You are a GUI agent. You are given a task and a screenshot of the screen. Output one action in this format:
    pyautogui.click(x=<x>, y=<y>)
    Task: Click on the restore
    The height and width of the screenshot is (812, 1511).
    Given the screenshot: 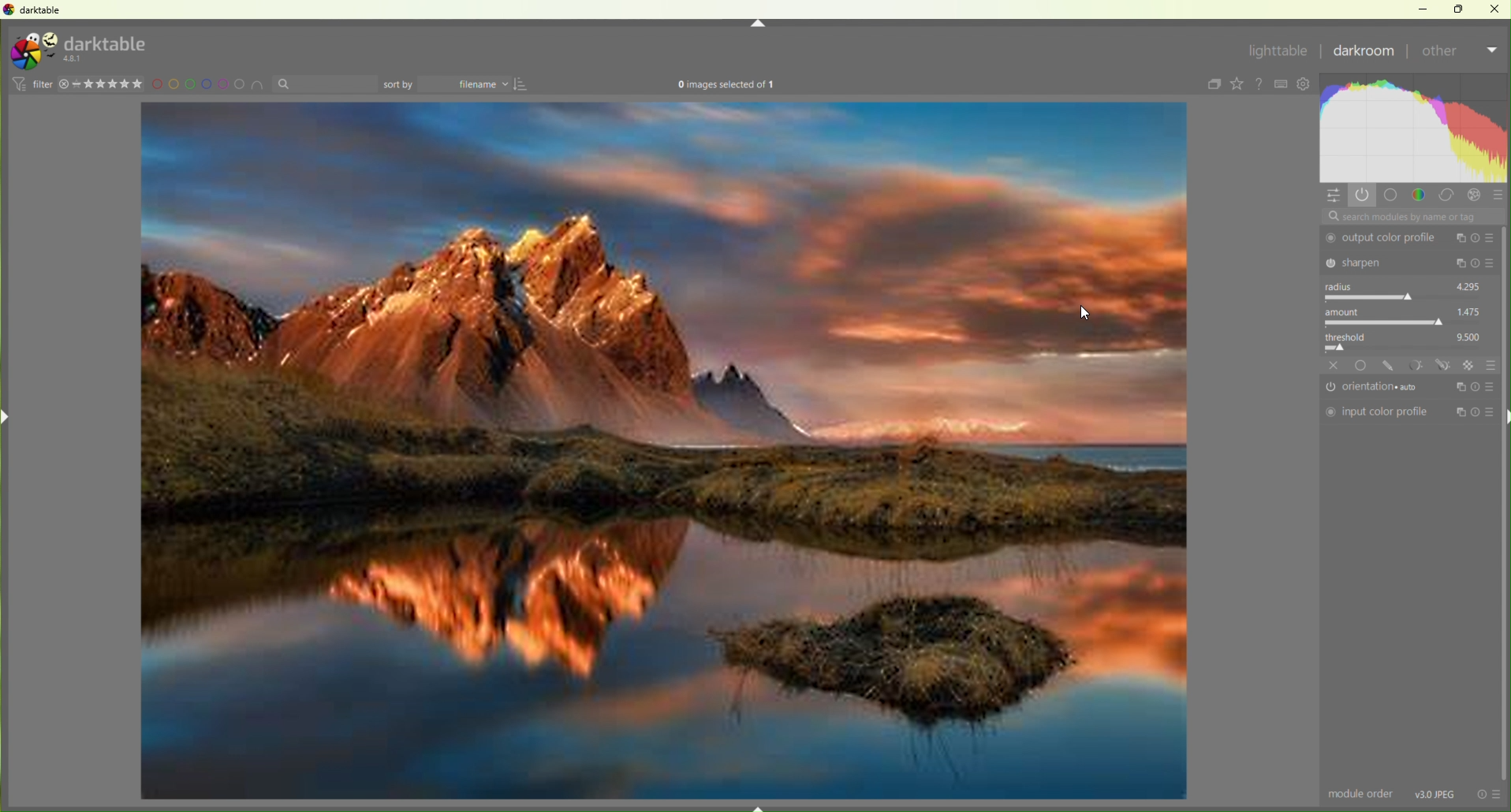 What is the action you would take?
    pyautogui.click(x=1461, y=8)
    